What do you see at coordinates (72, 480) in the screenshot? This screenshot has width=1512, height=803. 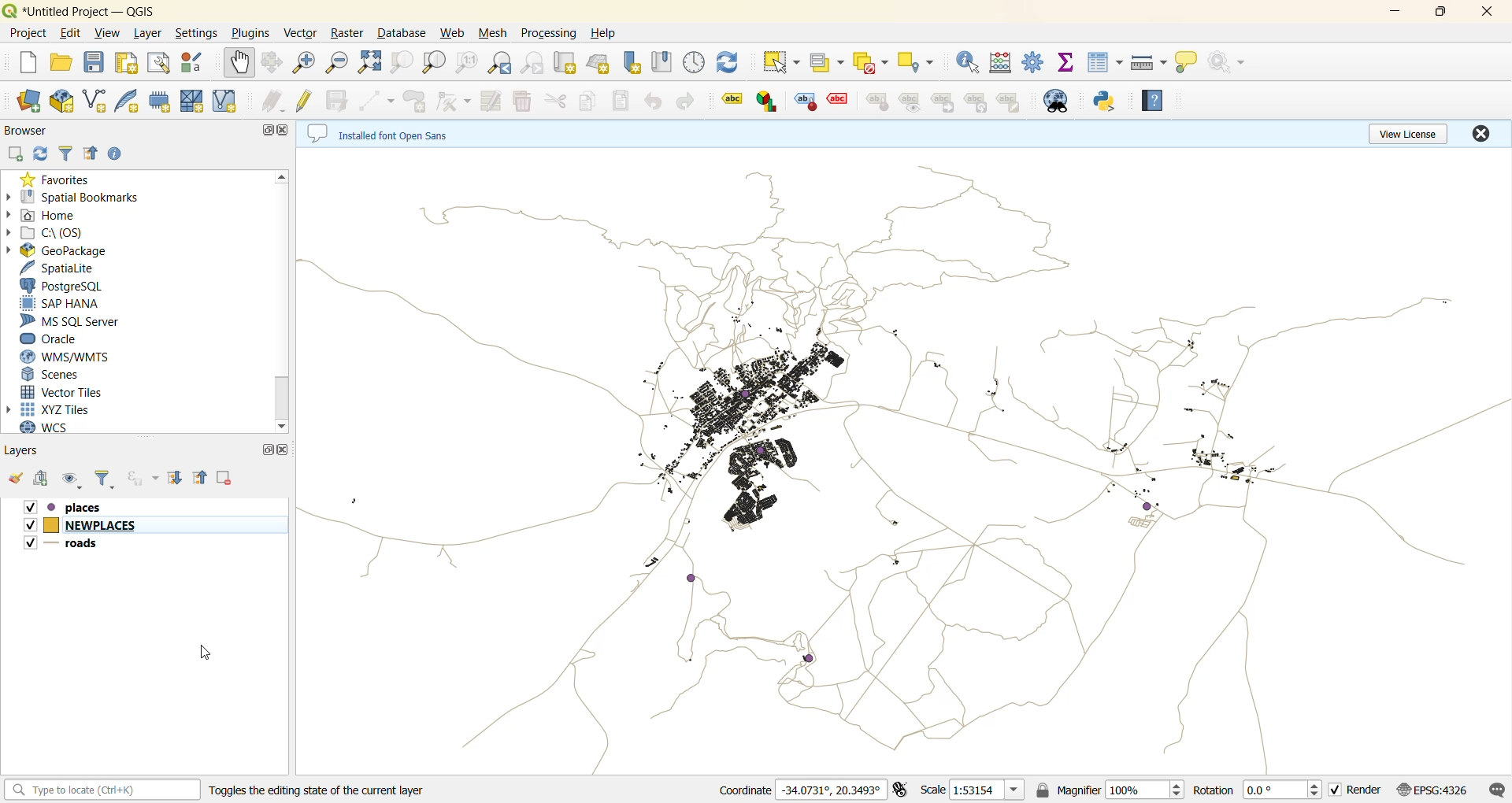 I see `manage map` at bounding box center [72, 480].